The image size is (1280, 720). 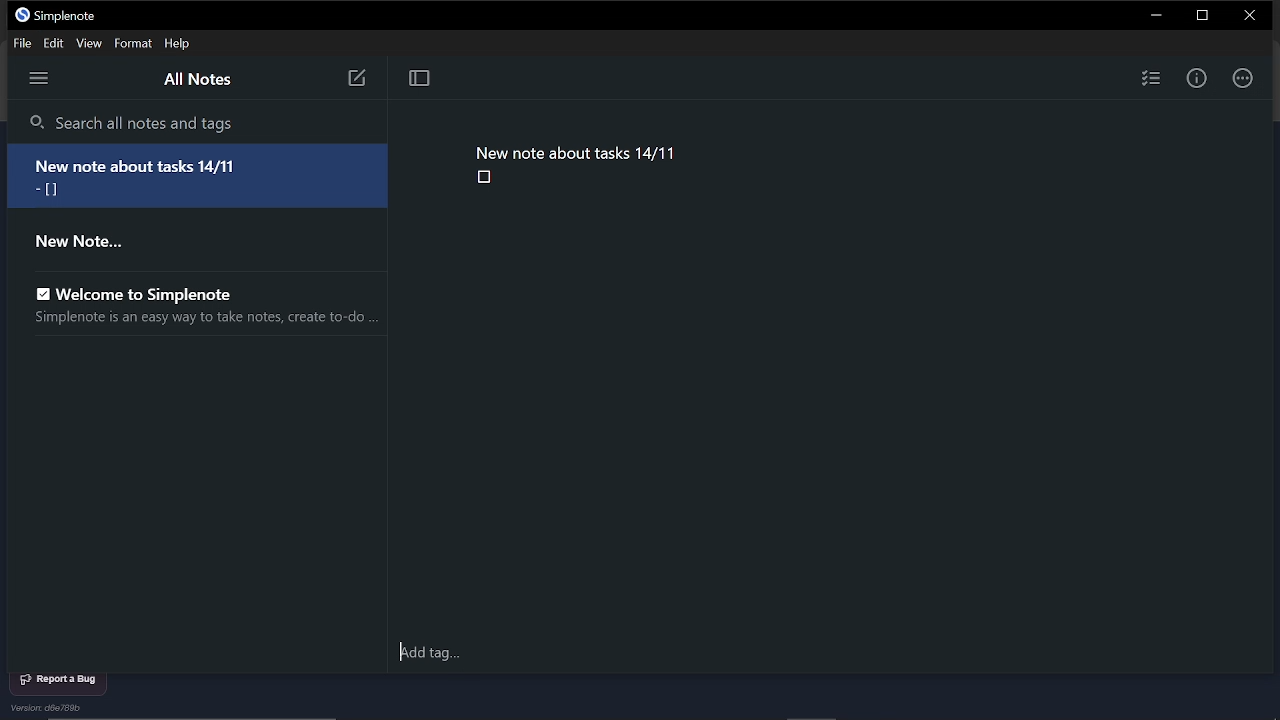 I want to click on All notes, so click(x=202, y=80).